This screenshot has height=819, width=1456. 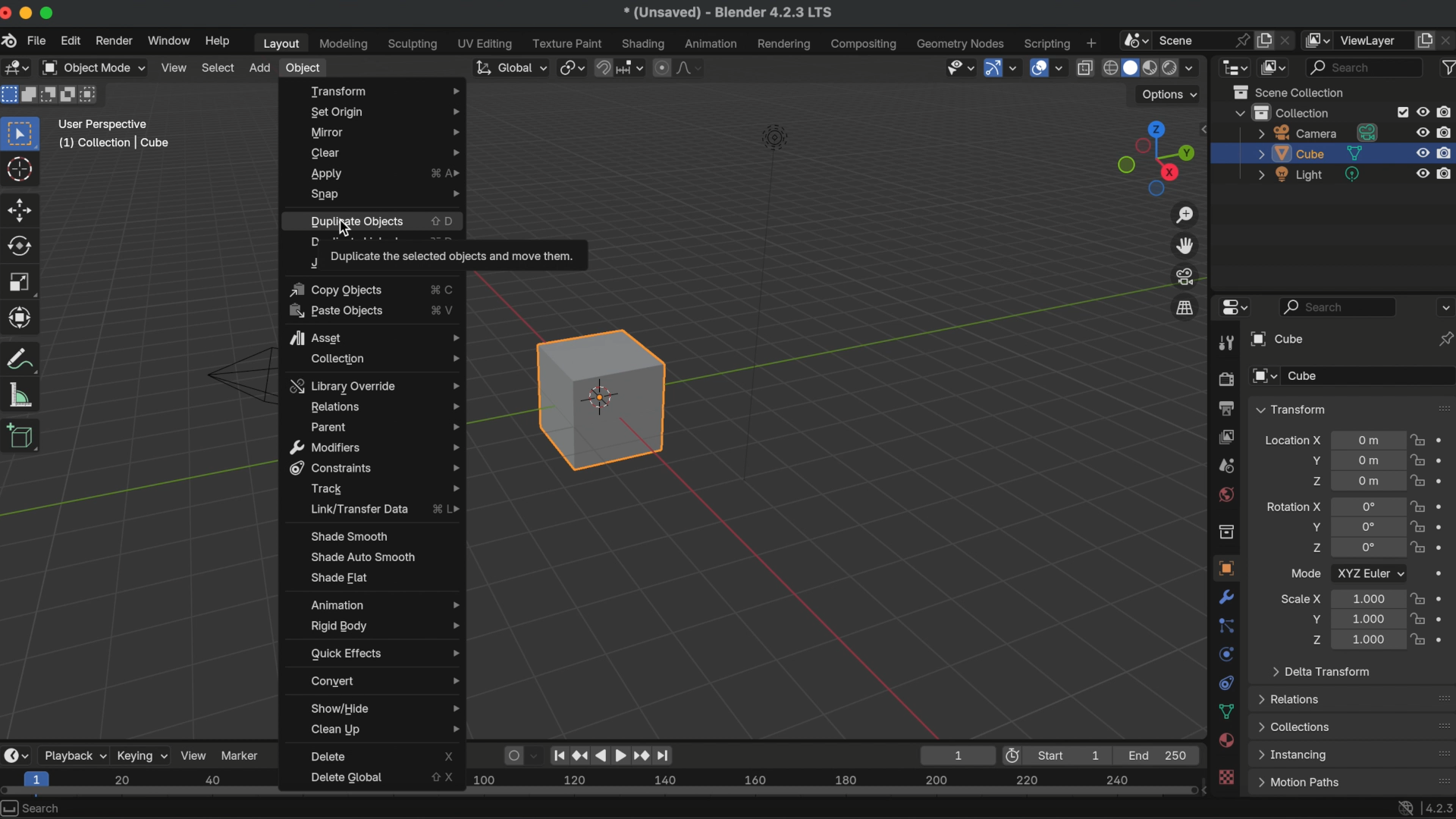 What do you see at coordinates (610, 755) in the screenshot?
I see `play animation` at bounding box center [610, 755].